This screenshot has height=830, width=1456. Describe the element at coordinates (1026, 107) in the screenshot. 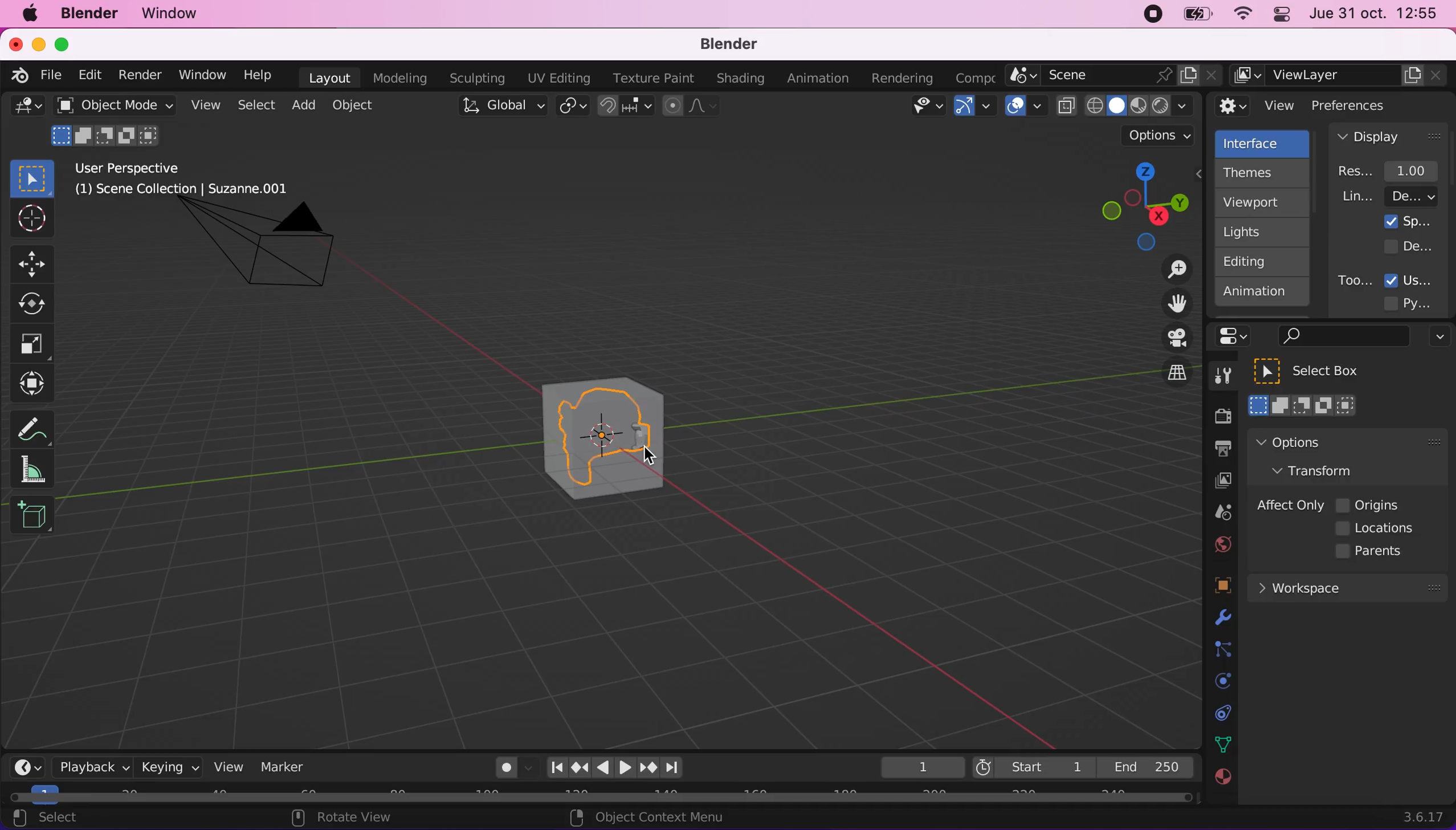

I see `overlays` at that location.